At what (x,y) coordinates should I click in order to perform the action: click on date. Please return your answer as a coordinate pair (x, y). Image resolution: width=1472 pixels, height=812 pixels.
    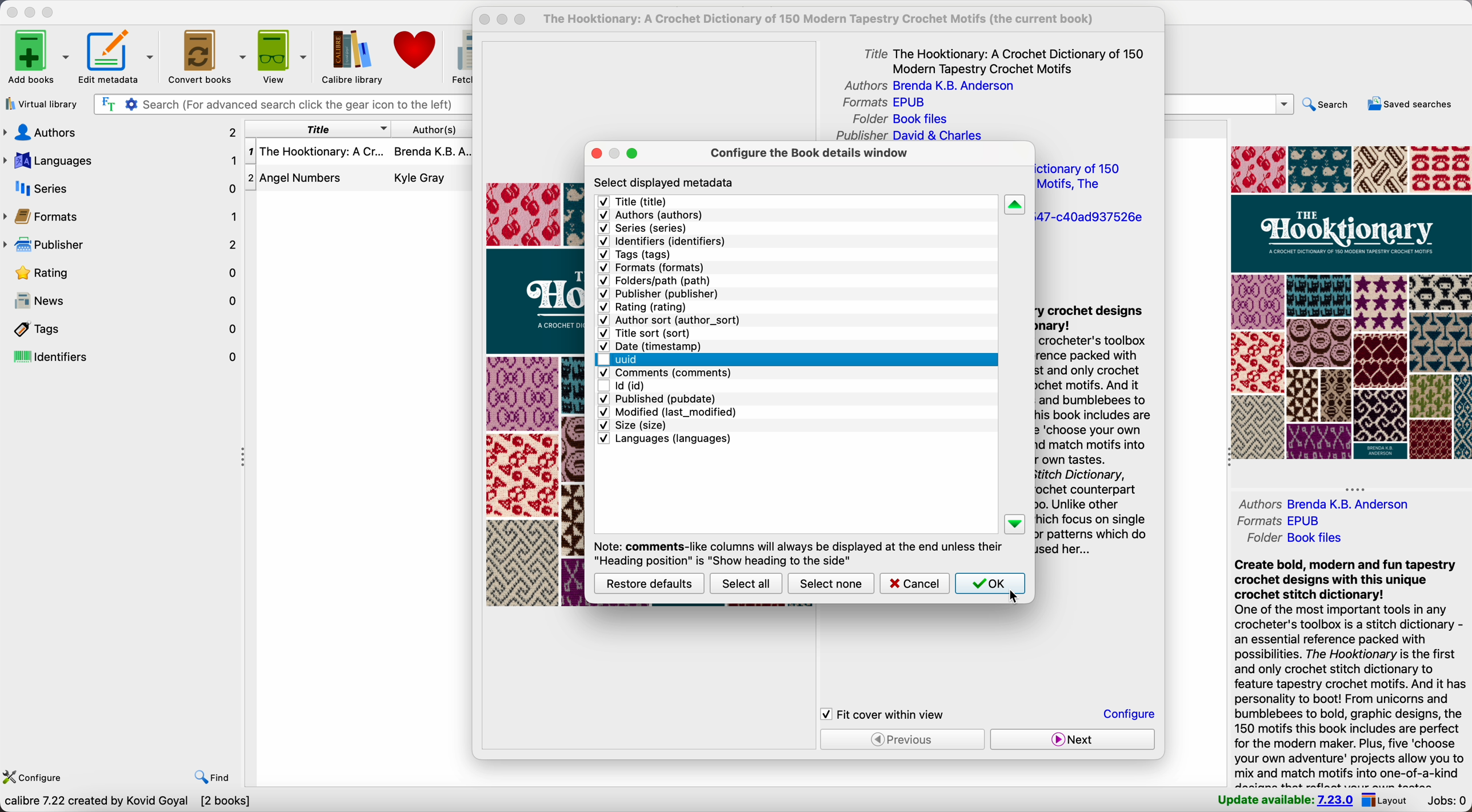
    Looking at the image, I should click on (654, 347).